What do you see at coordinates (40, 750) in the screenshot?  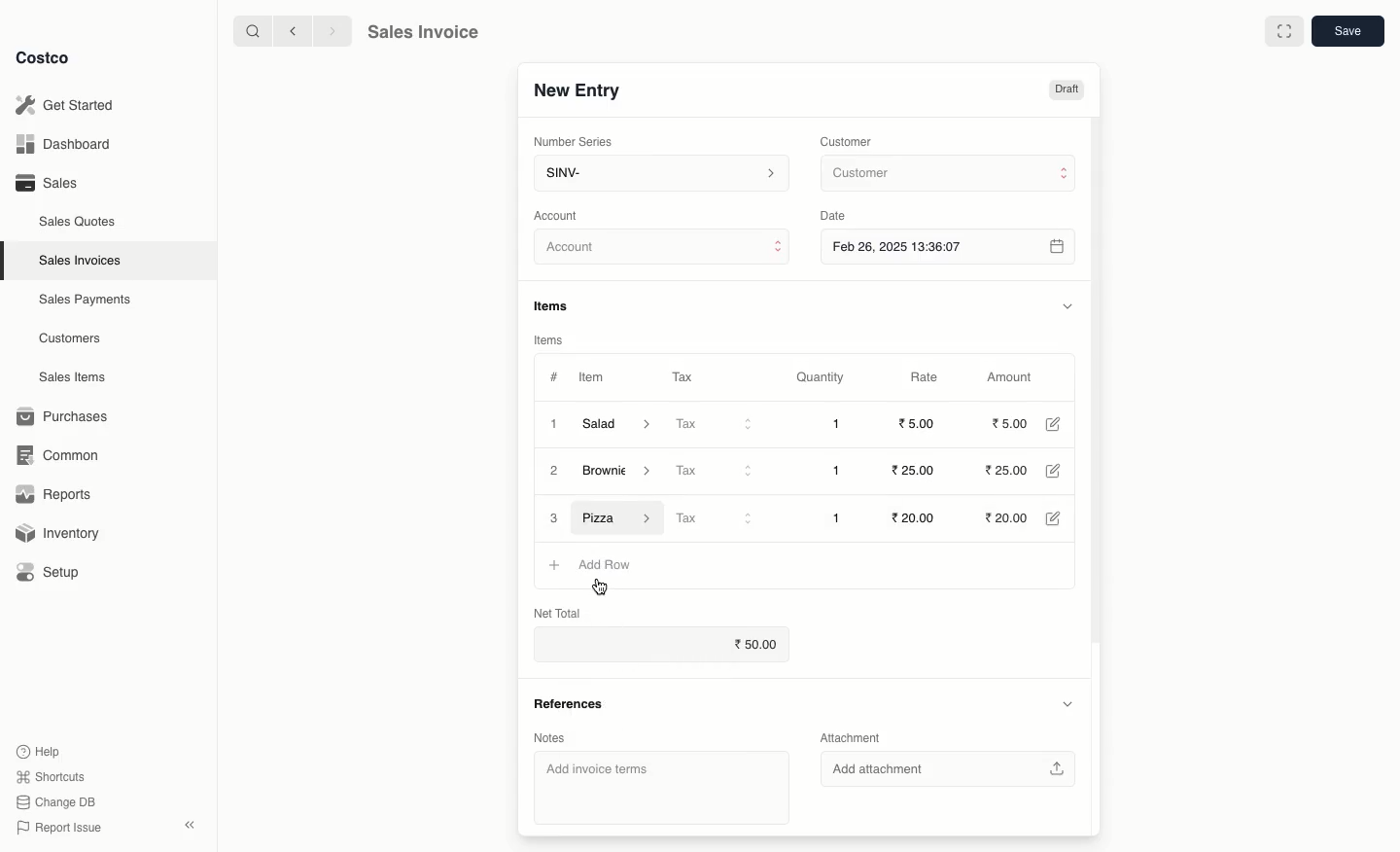 I see `Help` at bounding box center [40, 750].